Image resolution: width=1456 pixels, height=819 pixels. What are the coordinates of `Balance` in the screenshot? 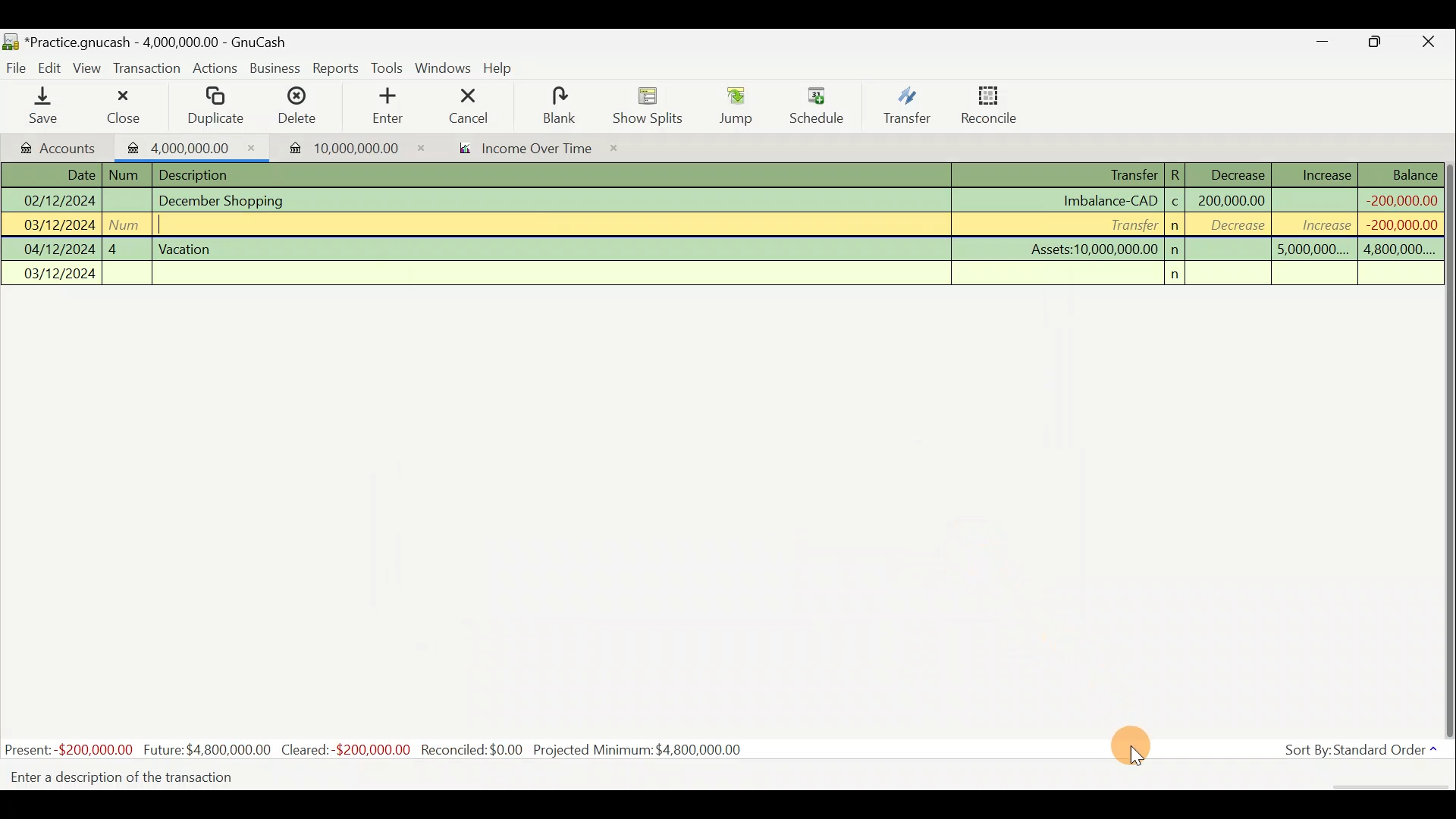 It's located at (1402, 174).